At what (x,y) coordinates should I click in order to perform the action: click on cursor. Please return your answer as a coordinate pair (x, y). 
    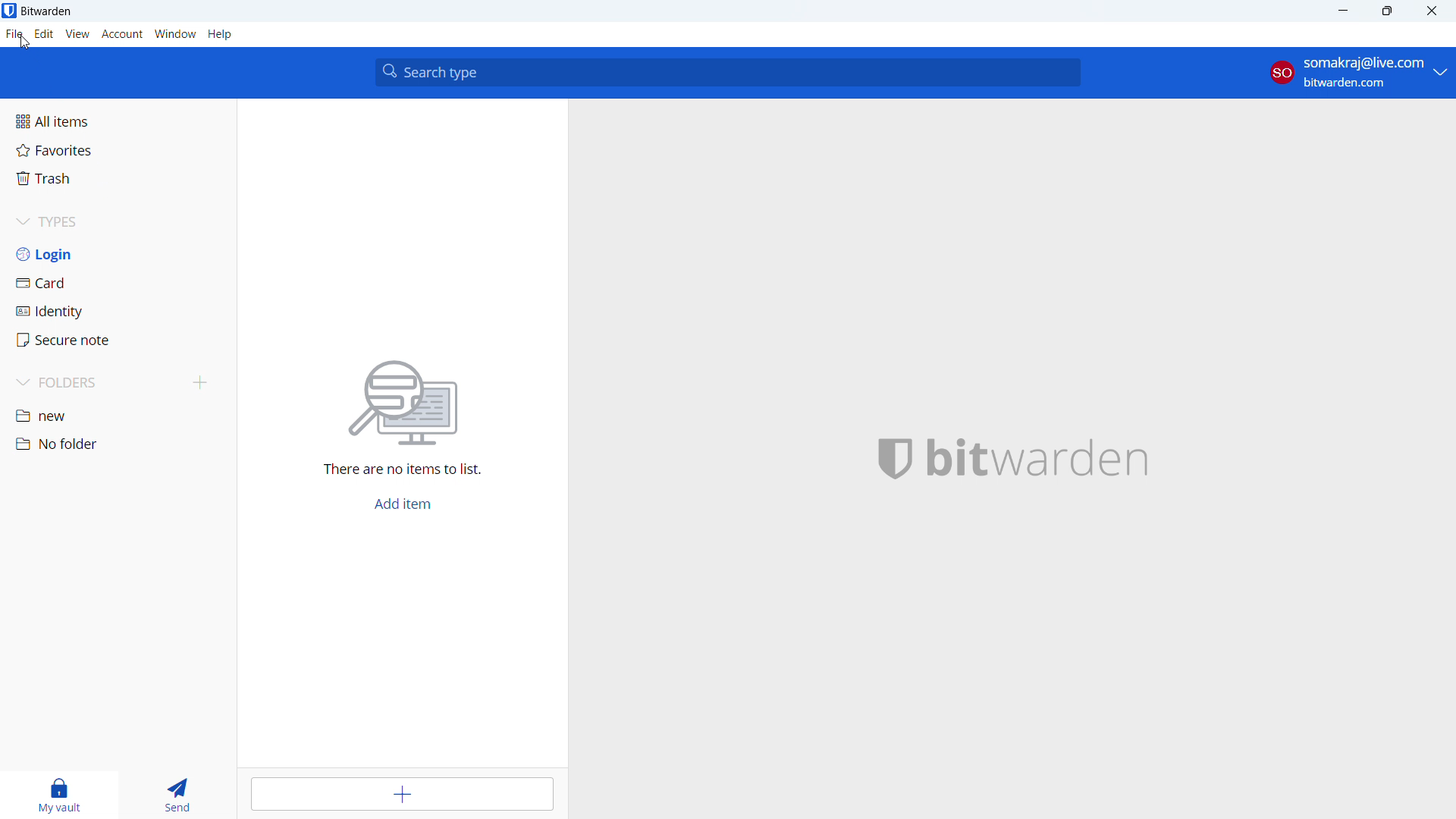
    Looking at the image, I should click on (24, 46).